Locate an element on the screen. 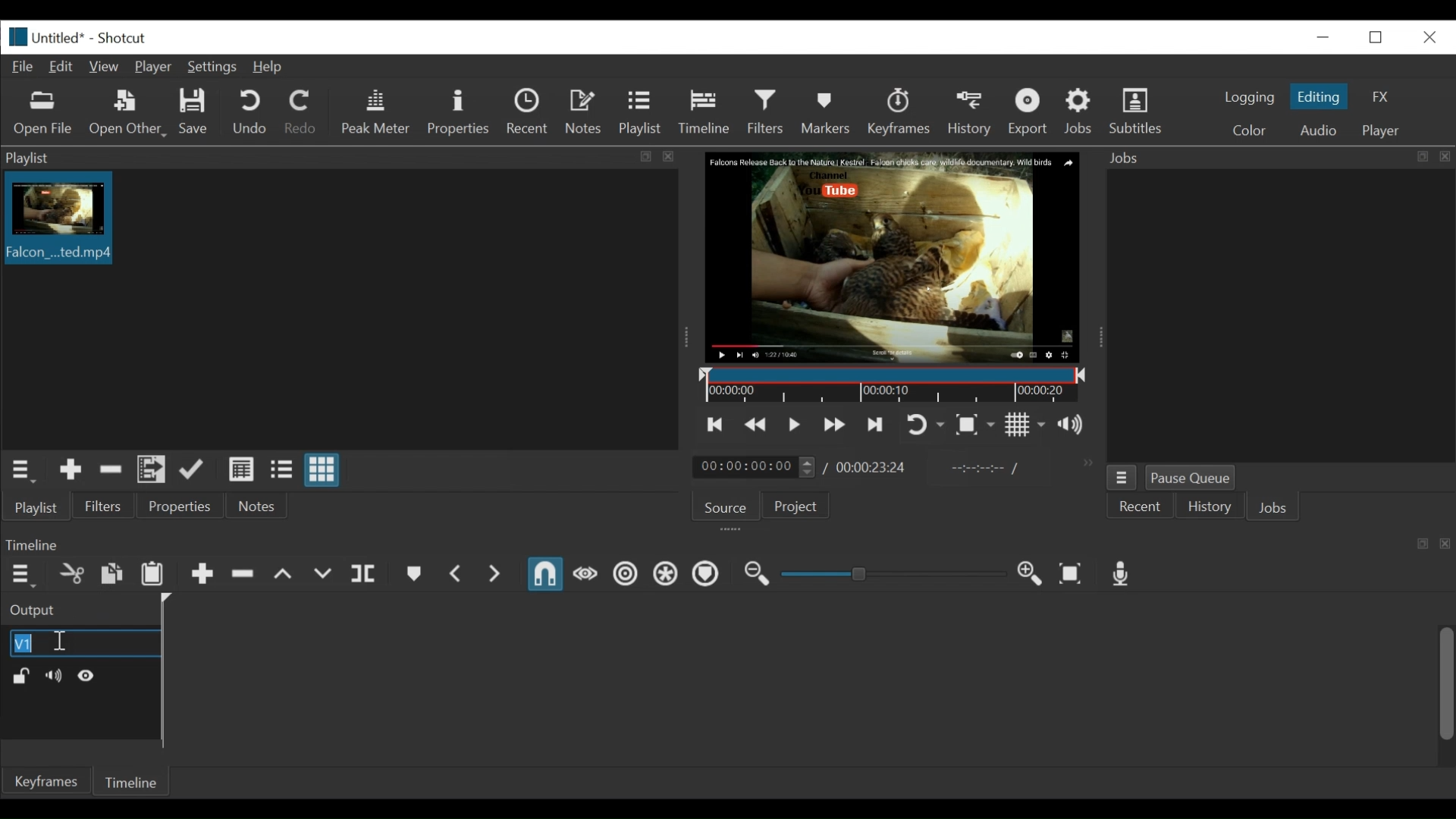 The width and height of the screenshot is (1456, 819). Notes is located at coordinates (260, 508).